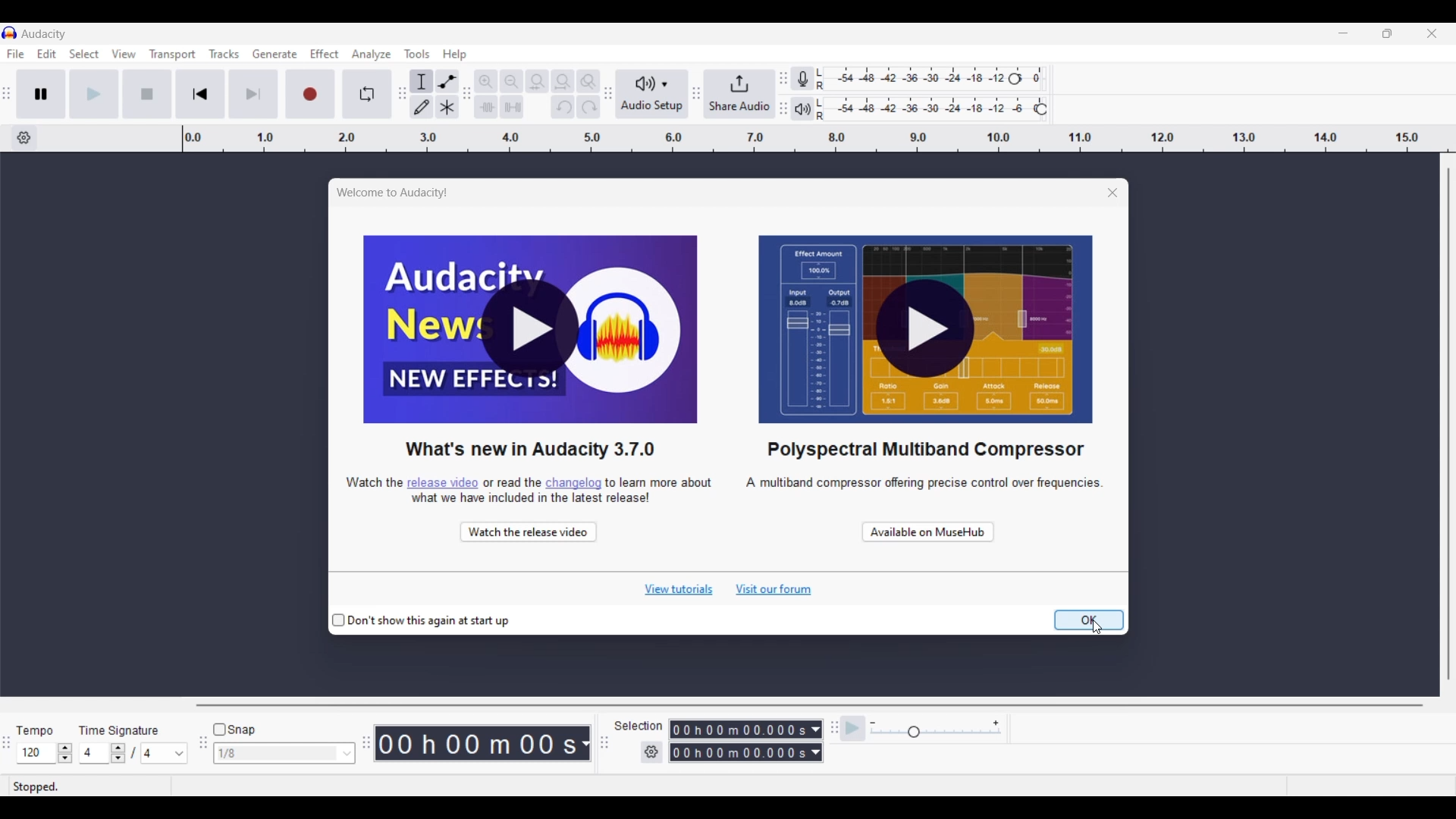 This screenshot has height=819, width=1456. What do you see at coordinates (275, 54) in the screenshot?
I see `Generate menu` at bounding box center [275, 54].